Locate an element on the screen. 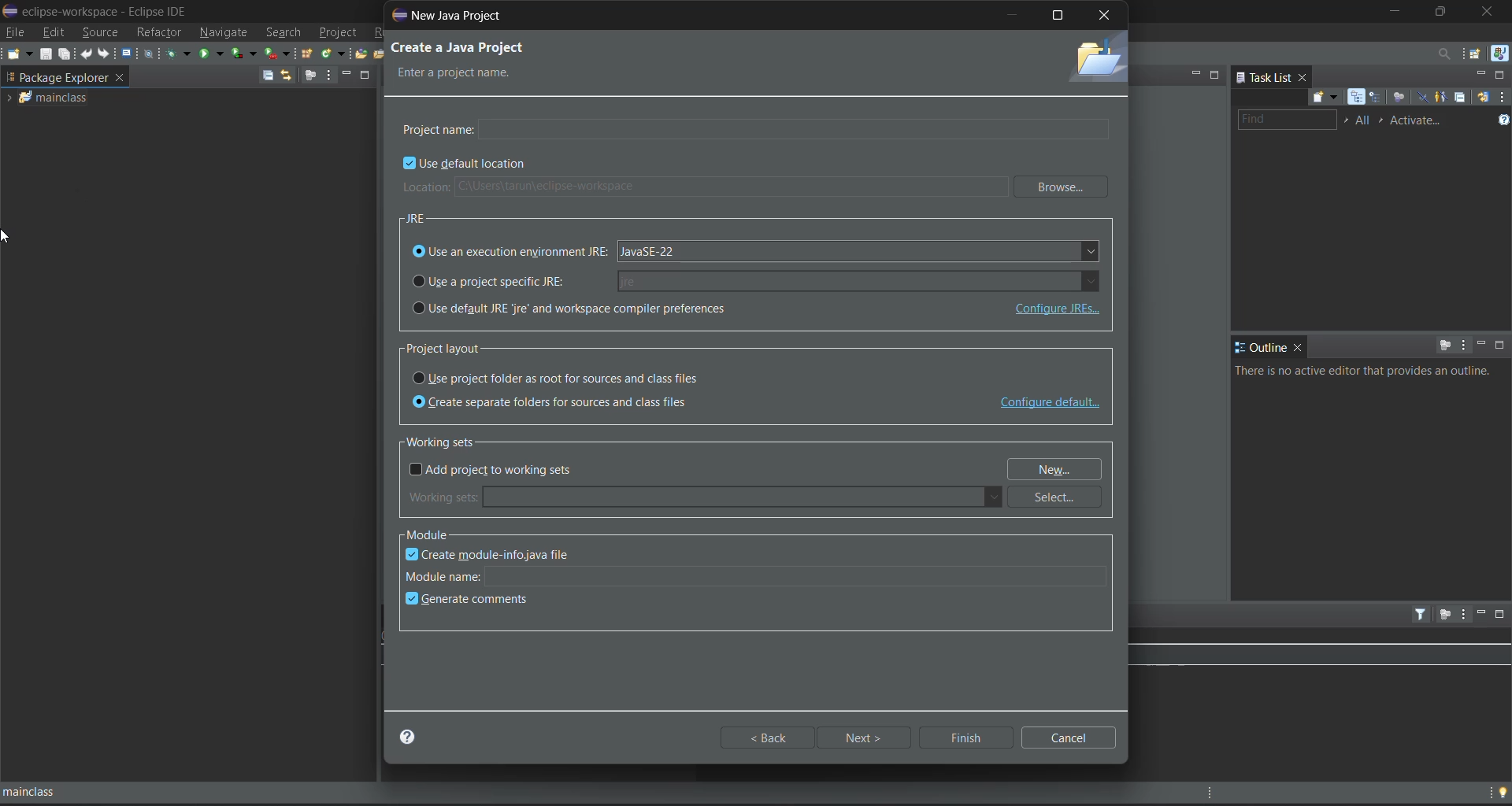 This screenshot has width=1512, height=806. next is located at coordinates (867, 738).